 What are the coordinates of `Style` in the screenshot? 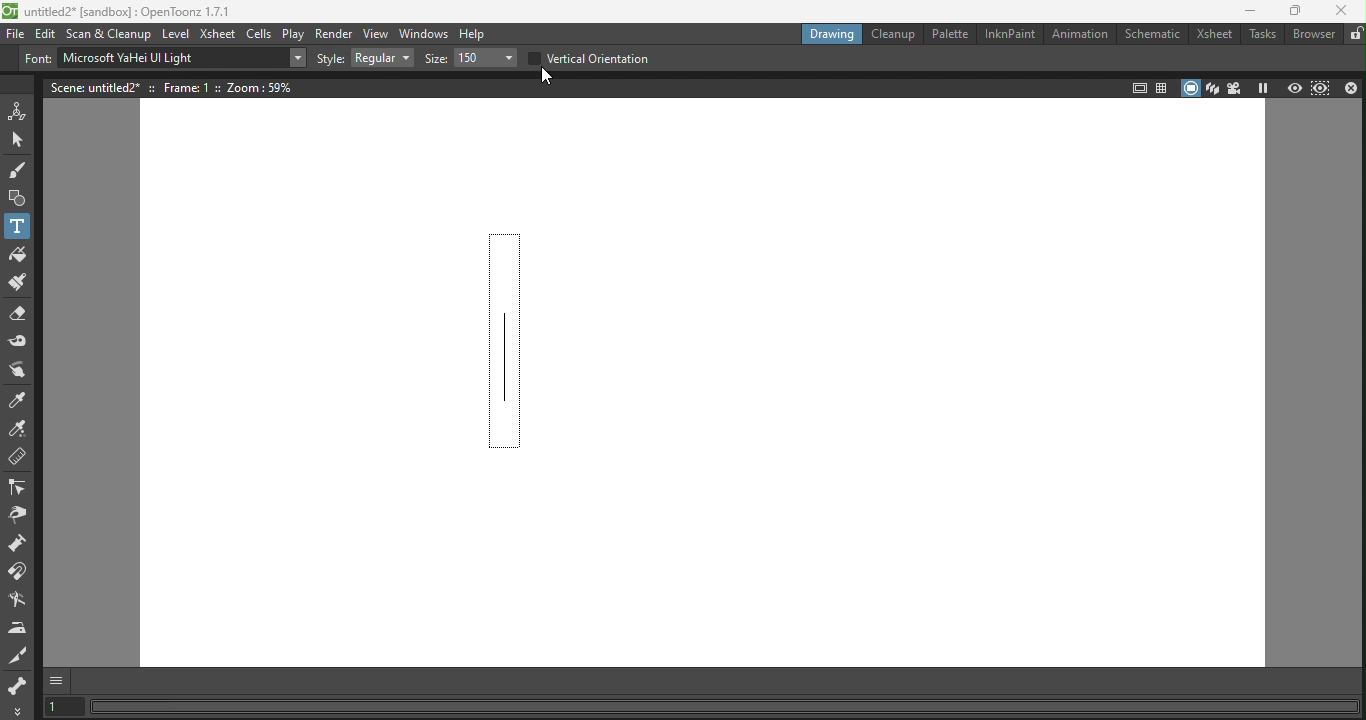 It's located at (332, 58).